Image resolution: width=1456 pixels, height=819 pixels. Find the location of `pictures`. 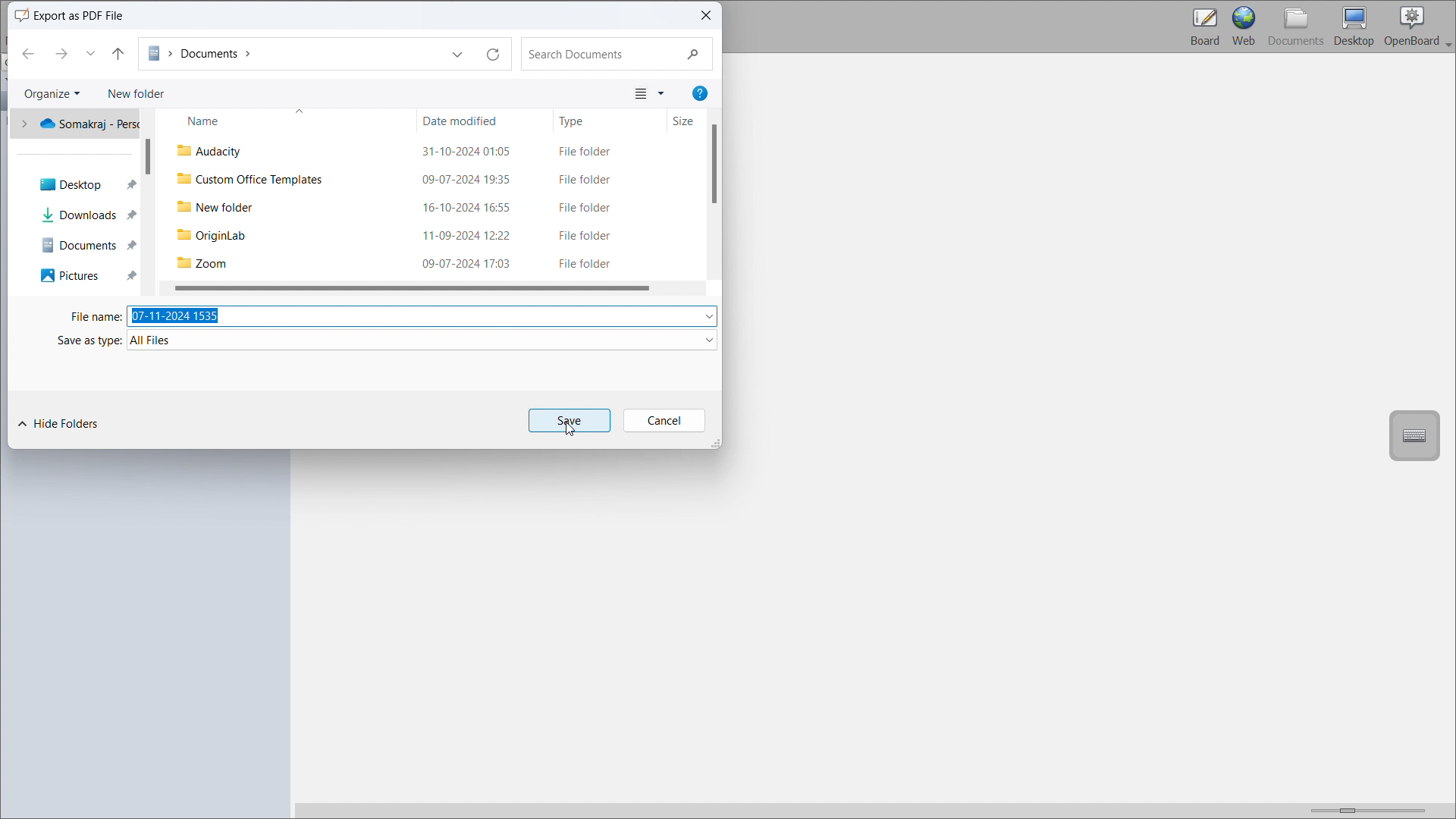

pictures is located at coordinates (73, 276).